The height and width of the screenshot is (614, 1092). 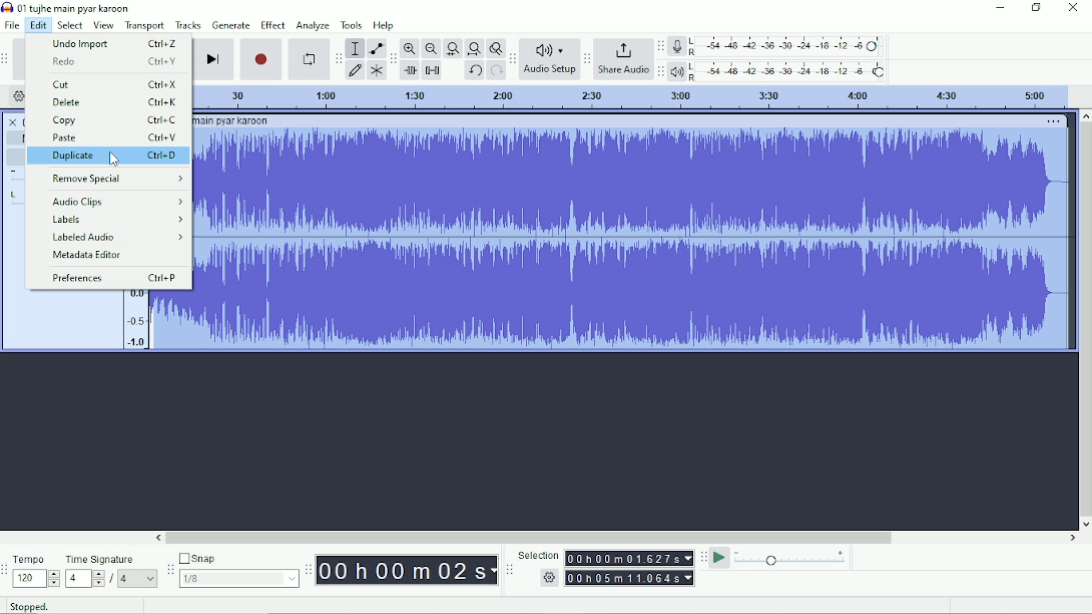 What do you see at coordinates (338, 58) in the screenshot?
I see `Audacity tools toolbar` at bounding box center [338, 58].